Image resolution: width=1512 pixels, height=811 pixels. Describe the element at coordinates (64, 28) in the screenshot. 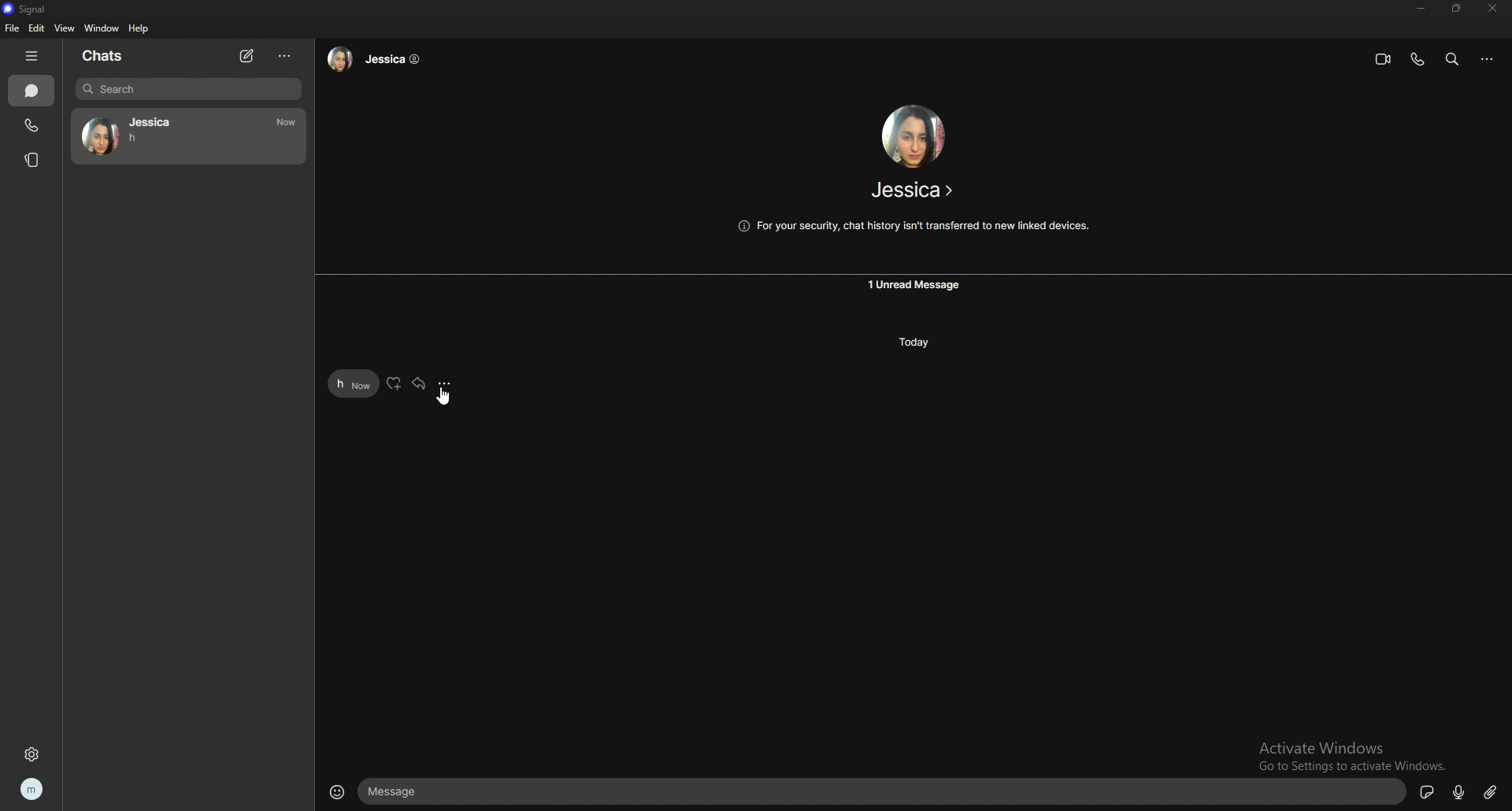

I see `view` at that location.